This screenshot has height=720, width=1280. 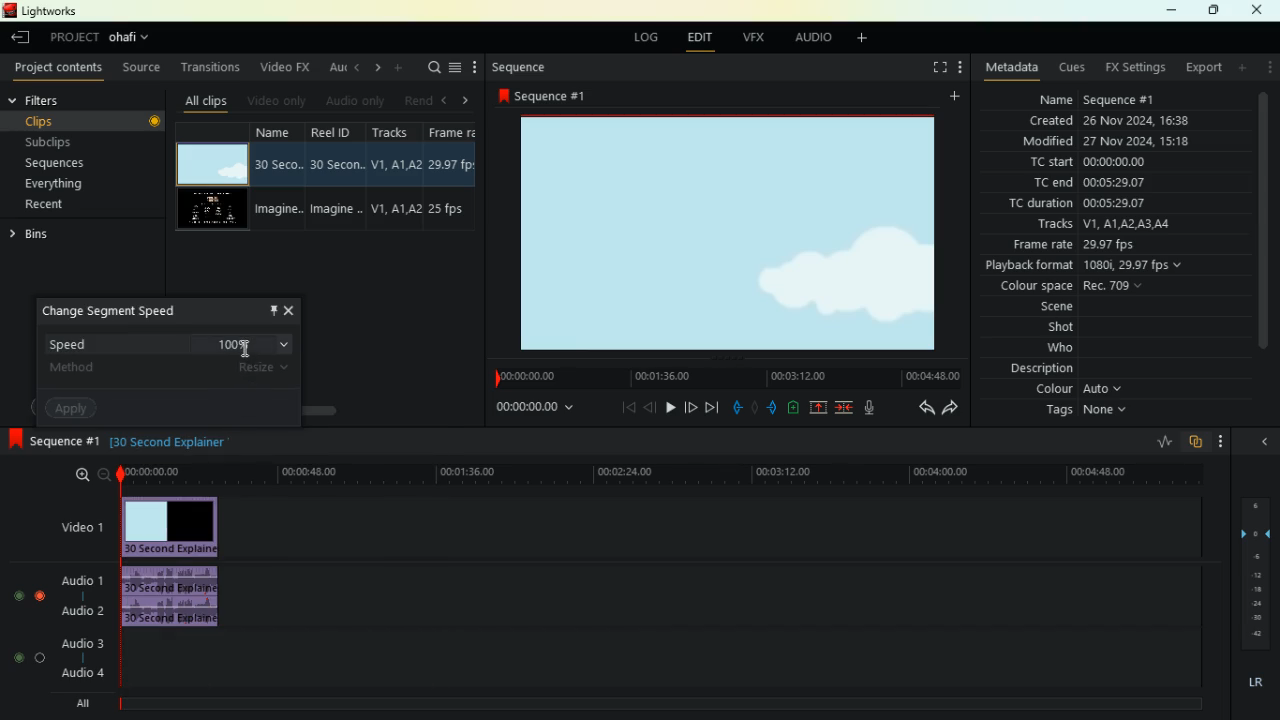 What do you see at coordinates (210, 211) in the screenshot?
I see `video` at bounding box center [210, 211].